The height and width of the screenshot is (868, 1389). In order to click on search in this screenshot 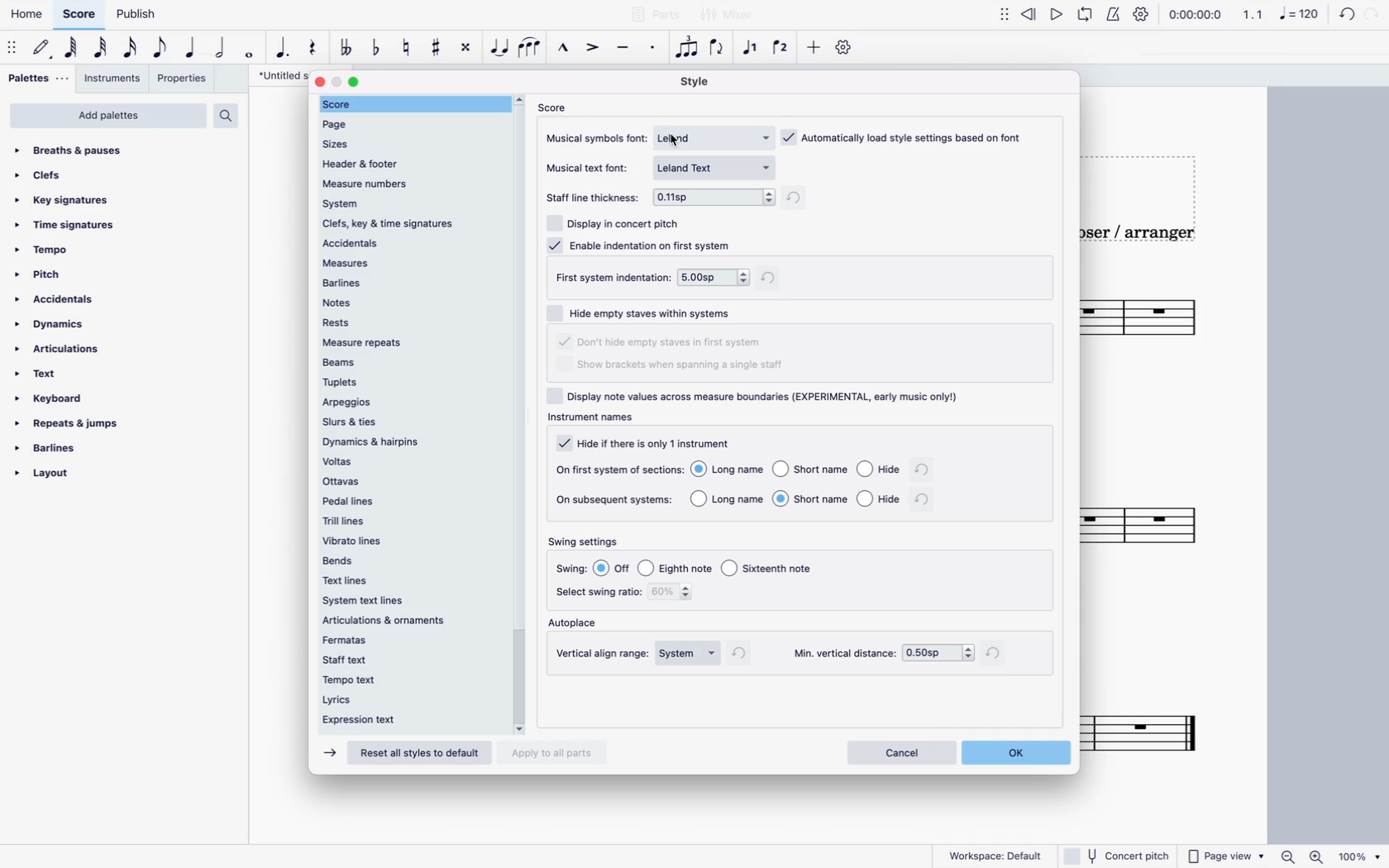, I will do `click(231, 116)`.